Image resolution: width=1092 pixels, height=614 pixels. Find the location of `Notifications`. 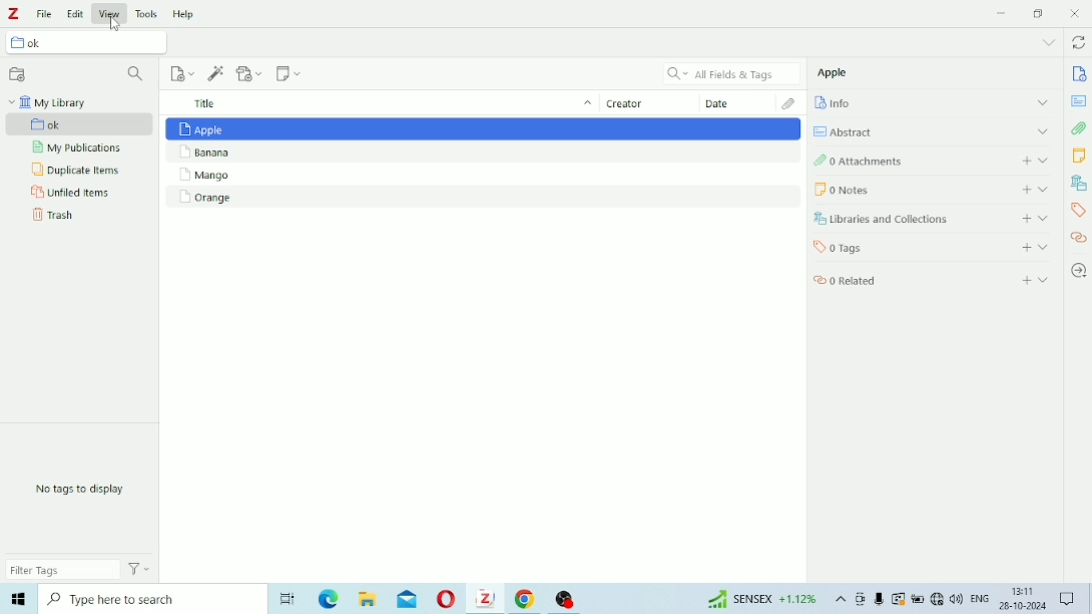

Notifications is located at coordinates (1069, 599).